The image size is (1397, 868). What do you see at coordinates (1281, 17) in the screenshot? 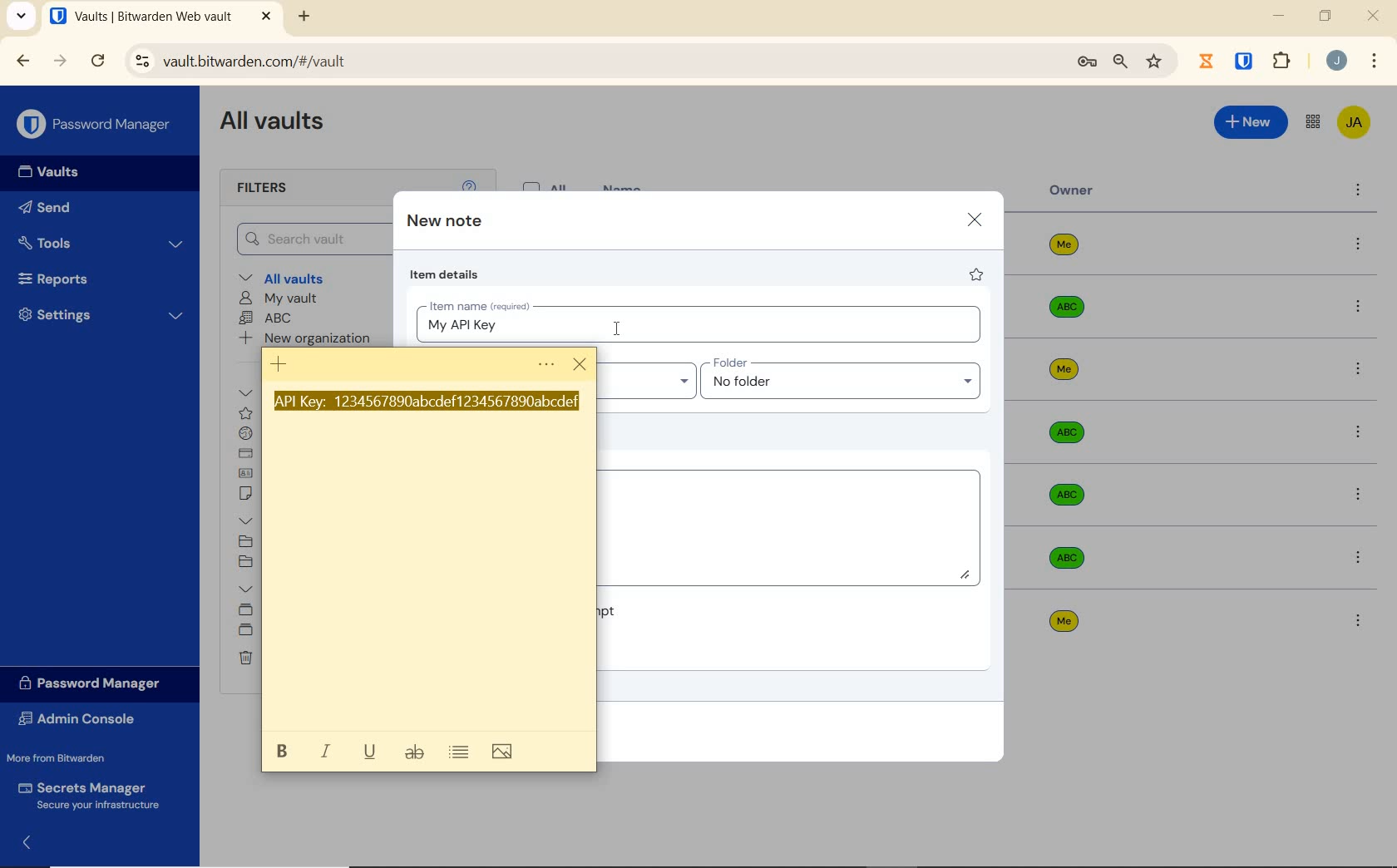
I see `MINIMIZE` at bounding box center [1281, 17].